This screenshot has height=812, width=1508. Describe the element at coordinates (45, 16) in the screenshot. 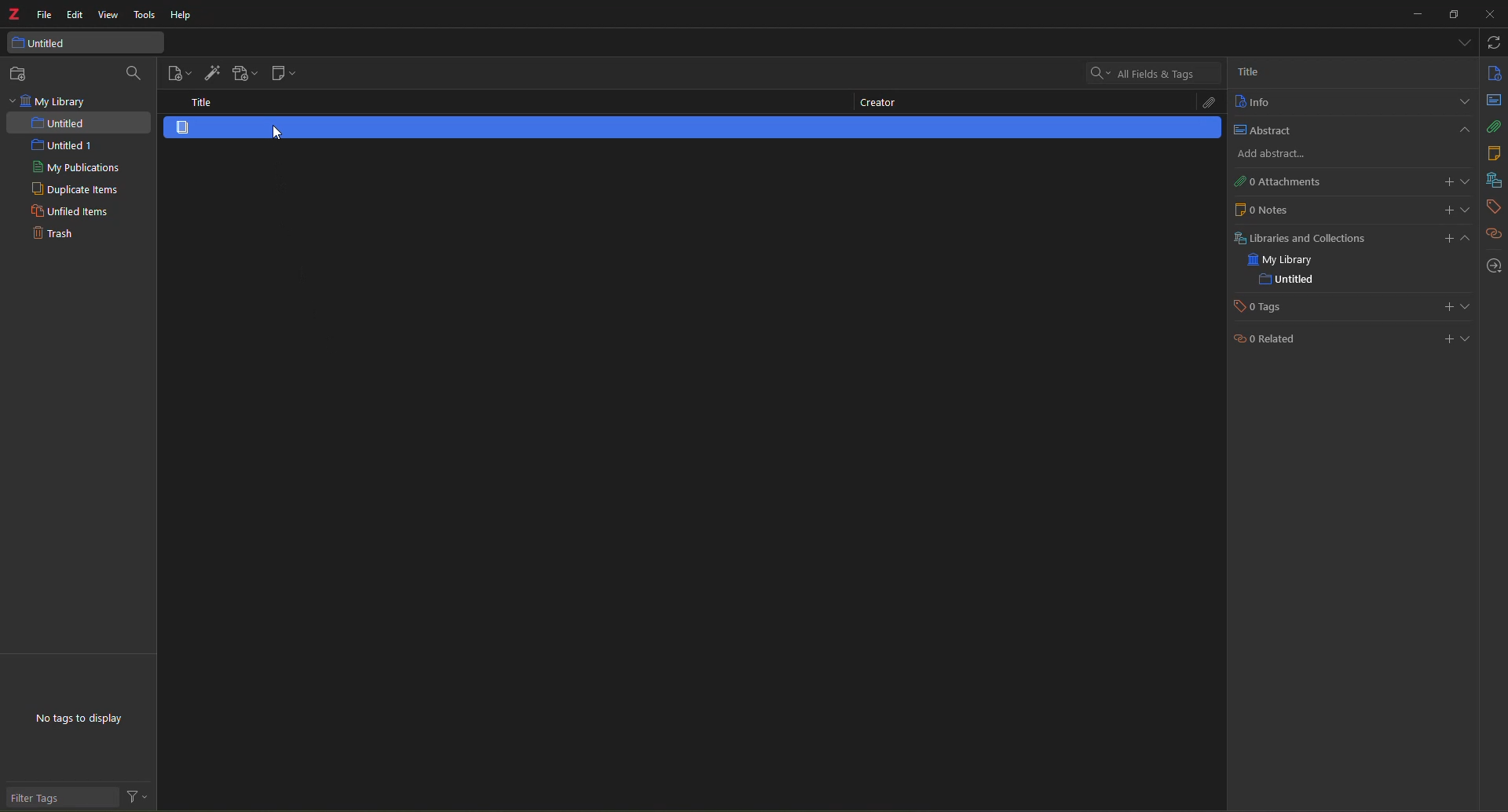

I see `file` at that location.